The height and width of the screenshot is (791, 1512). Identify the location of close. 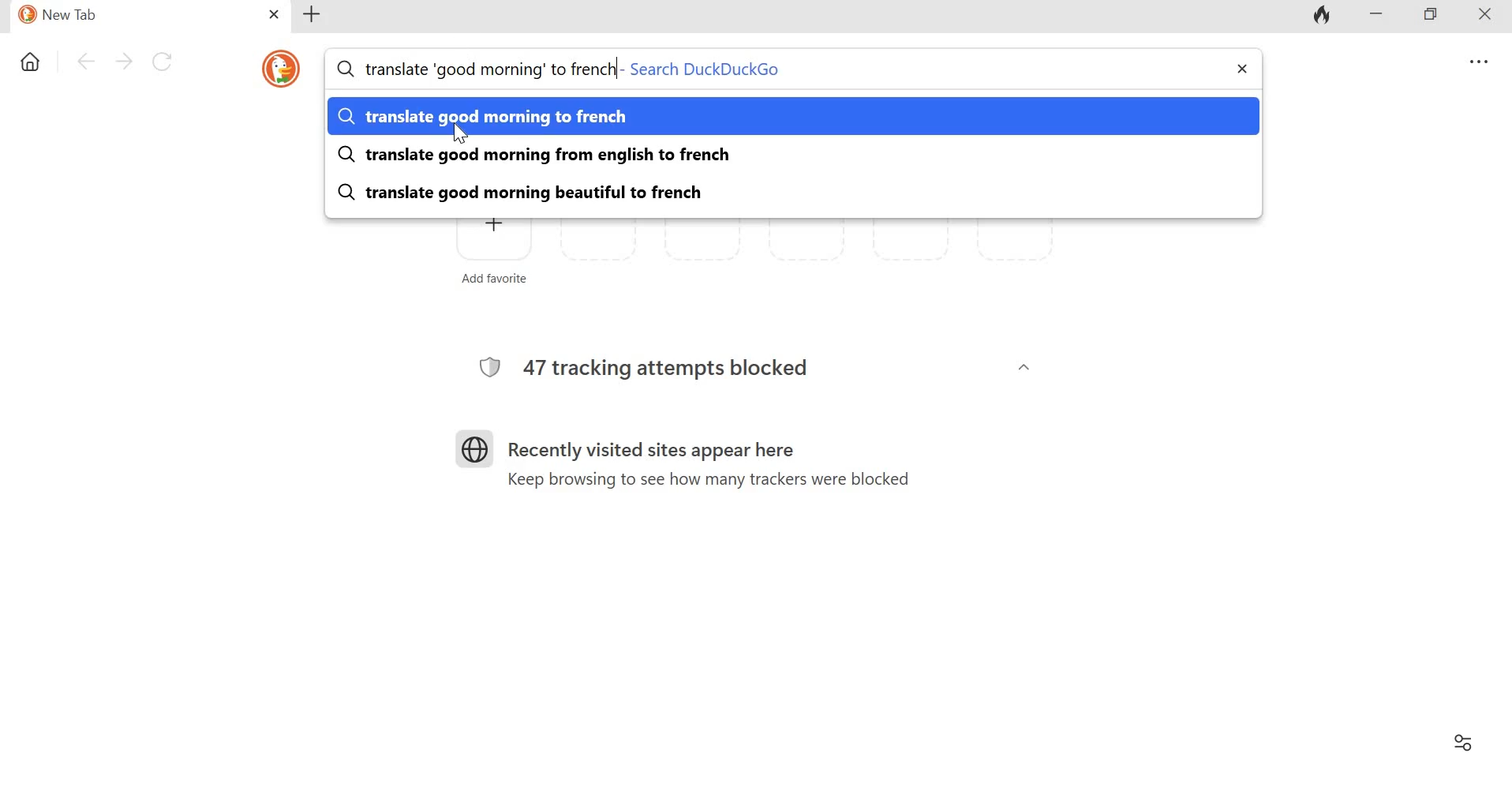
(272, 13).